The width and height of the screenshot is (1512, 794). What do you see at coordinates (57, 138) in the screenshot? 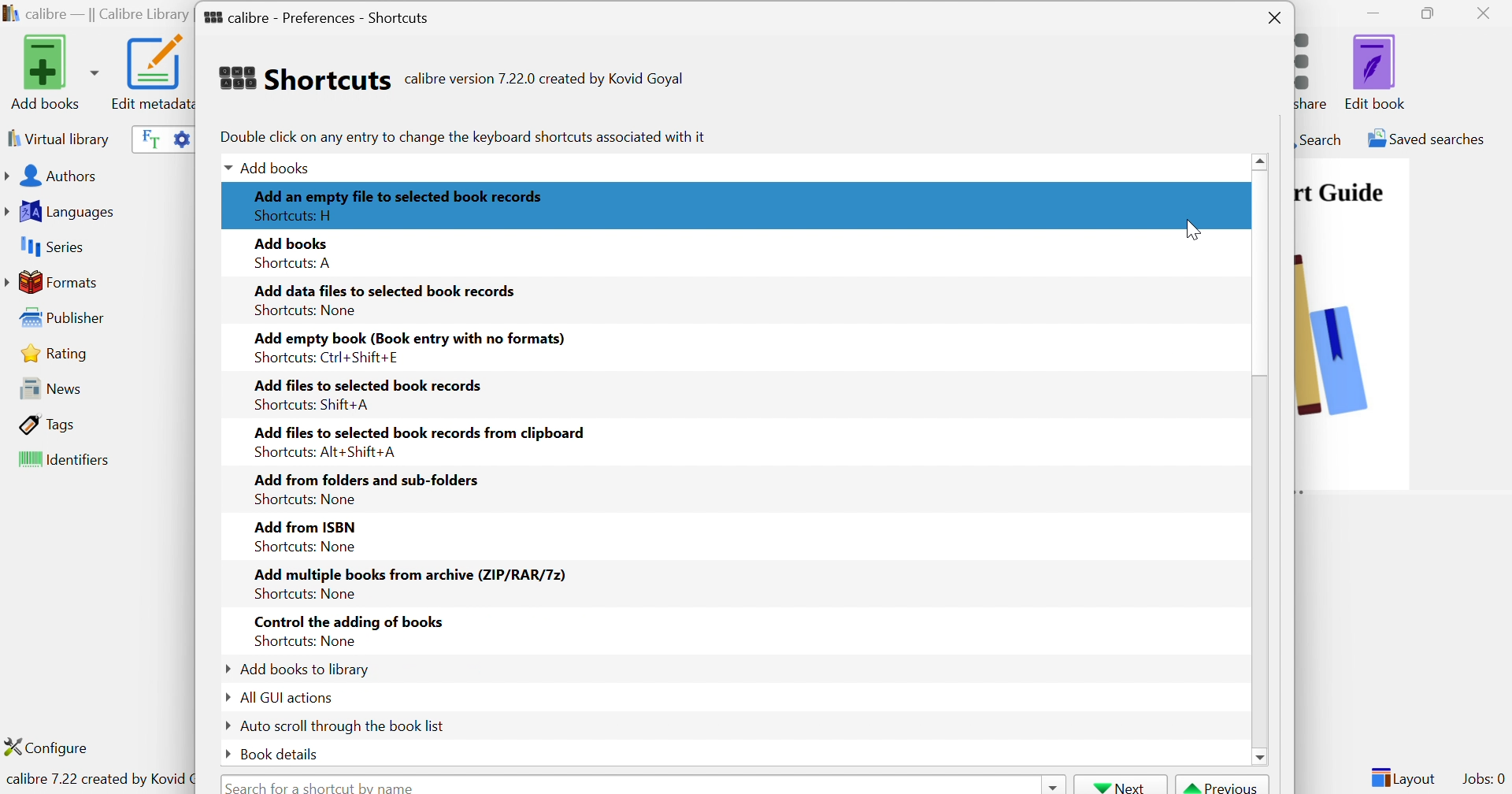
I see `Virtual library` at bounding box center [57, 138].